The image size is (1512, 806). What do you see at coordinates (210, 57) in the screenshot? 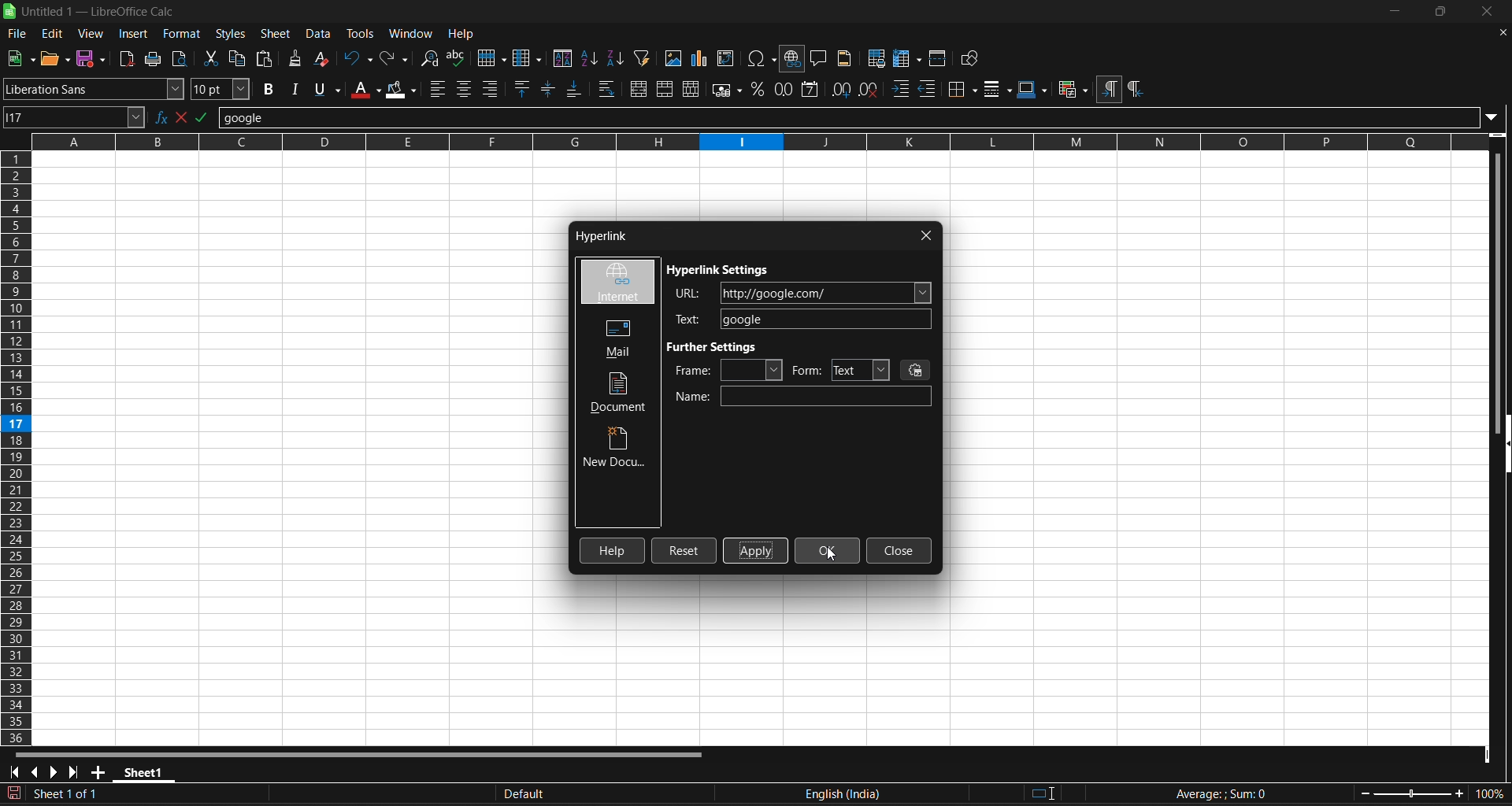
I see `cut` at bounding box center [210, 57].